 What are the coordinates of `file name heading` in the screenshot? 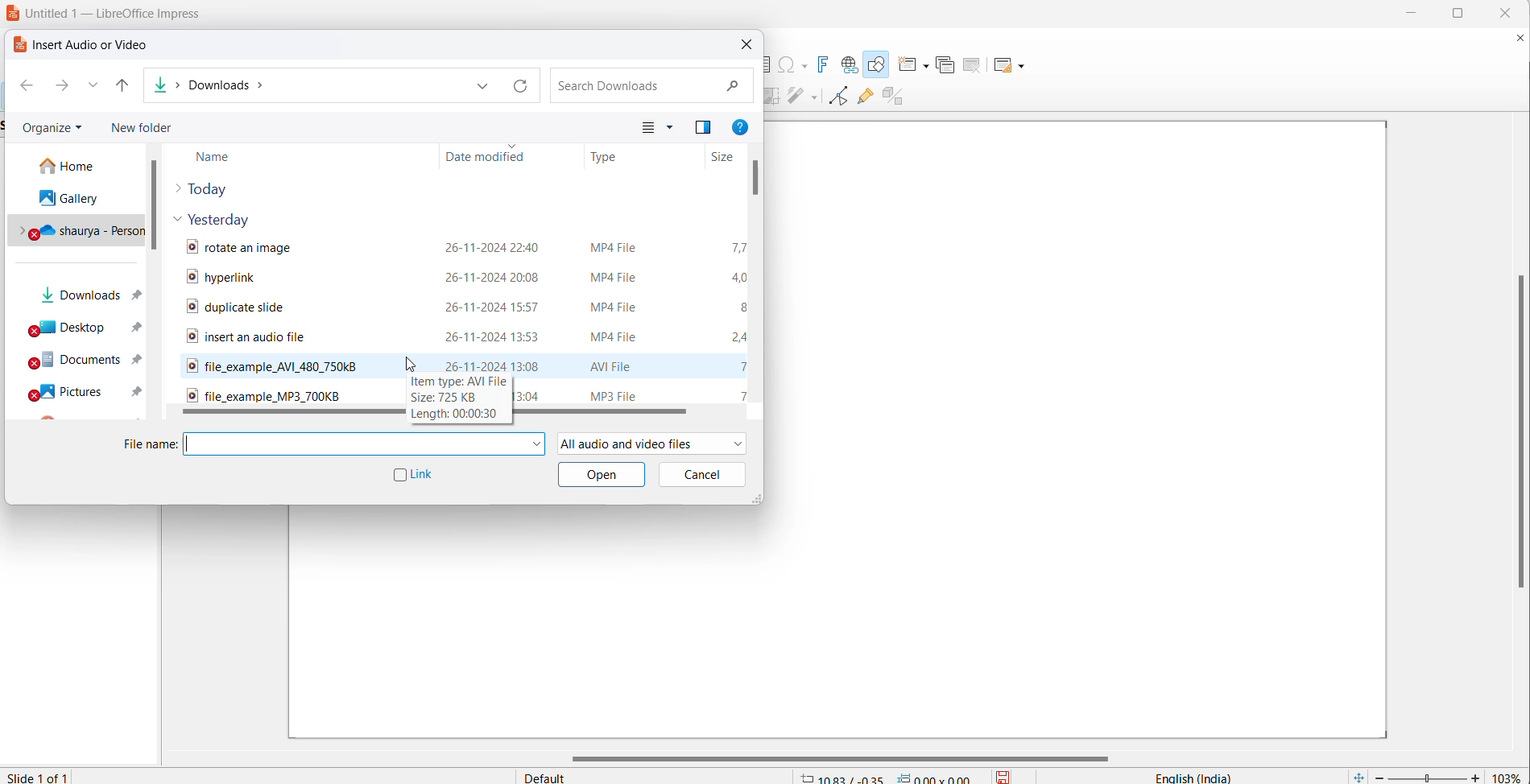 It's located at (150, 447).